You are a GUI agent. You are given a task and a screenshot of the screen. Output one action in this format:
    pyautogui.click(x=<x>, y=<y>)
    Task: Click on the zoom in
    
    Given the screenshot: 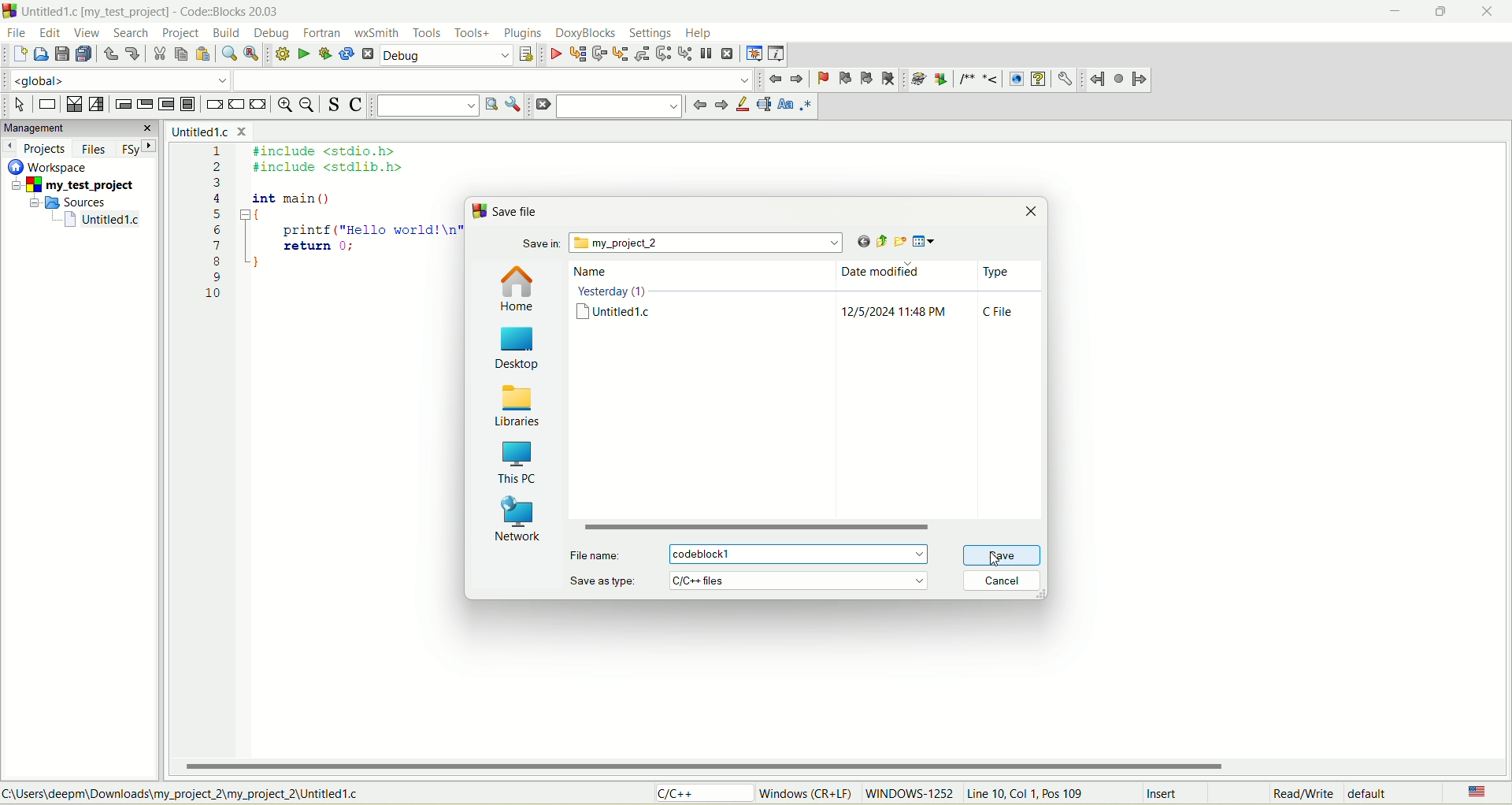 What is the action you would take?
    pyautogui.click(x=283, y=106)
    